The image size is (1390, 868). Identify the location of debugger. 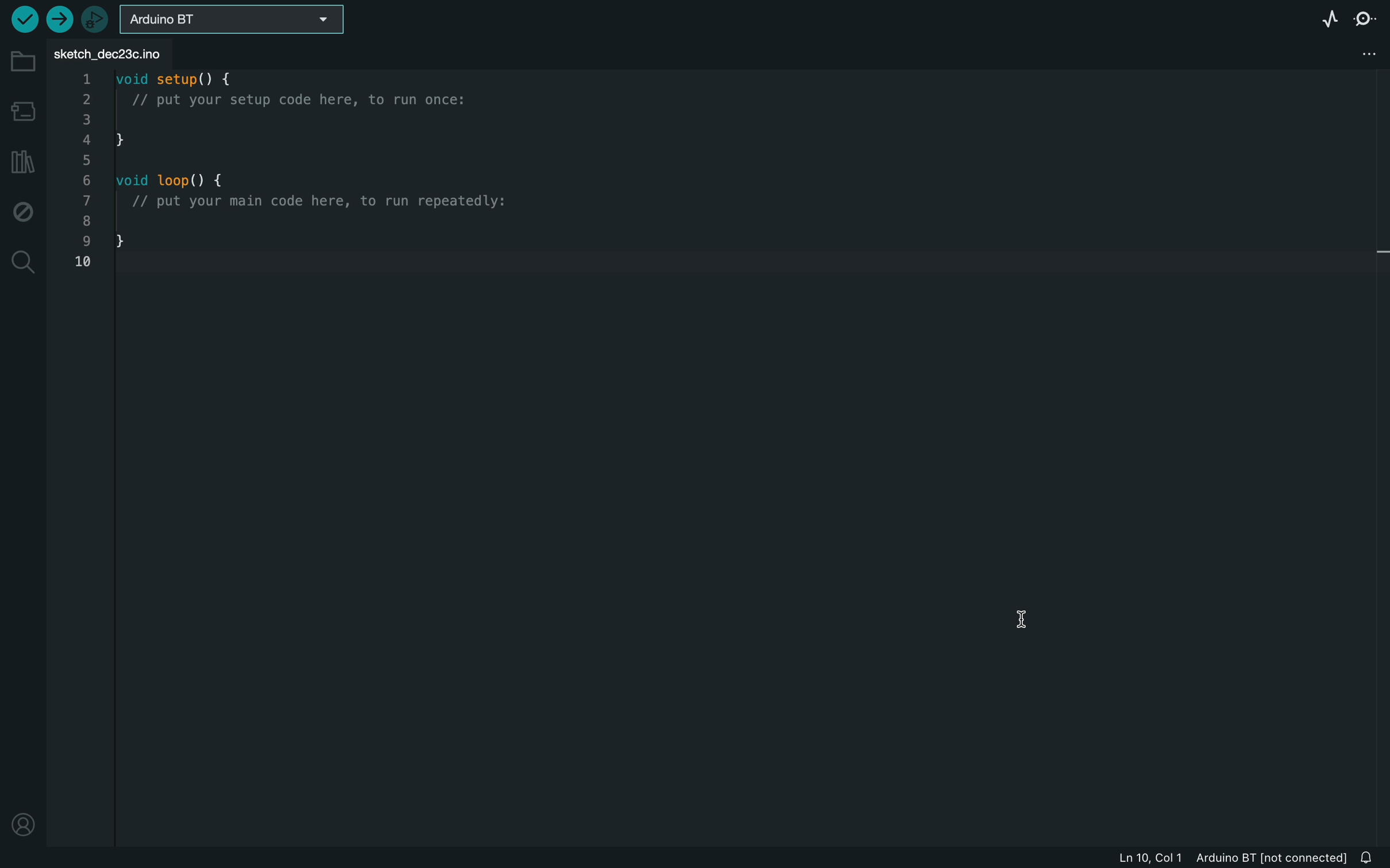
(96, 19).